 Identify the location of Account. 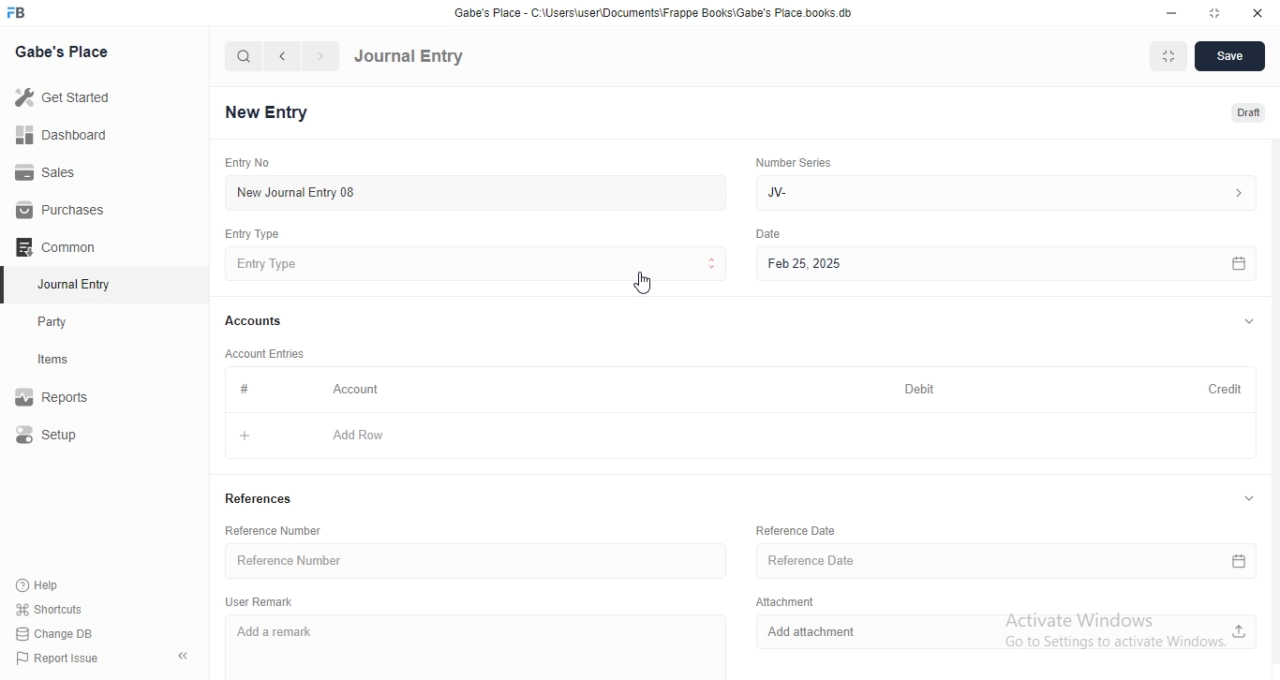
(358, 391).